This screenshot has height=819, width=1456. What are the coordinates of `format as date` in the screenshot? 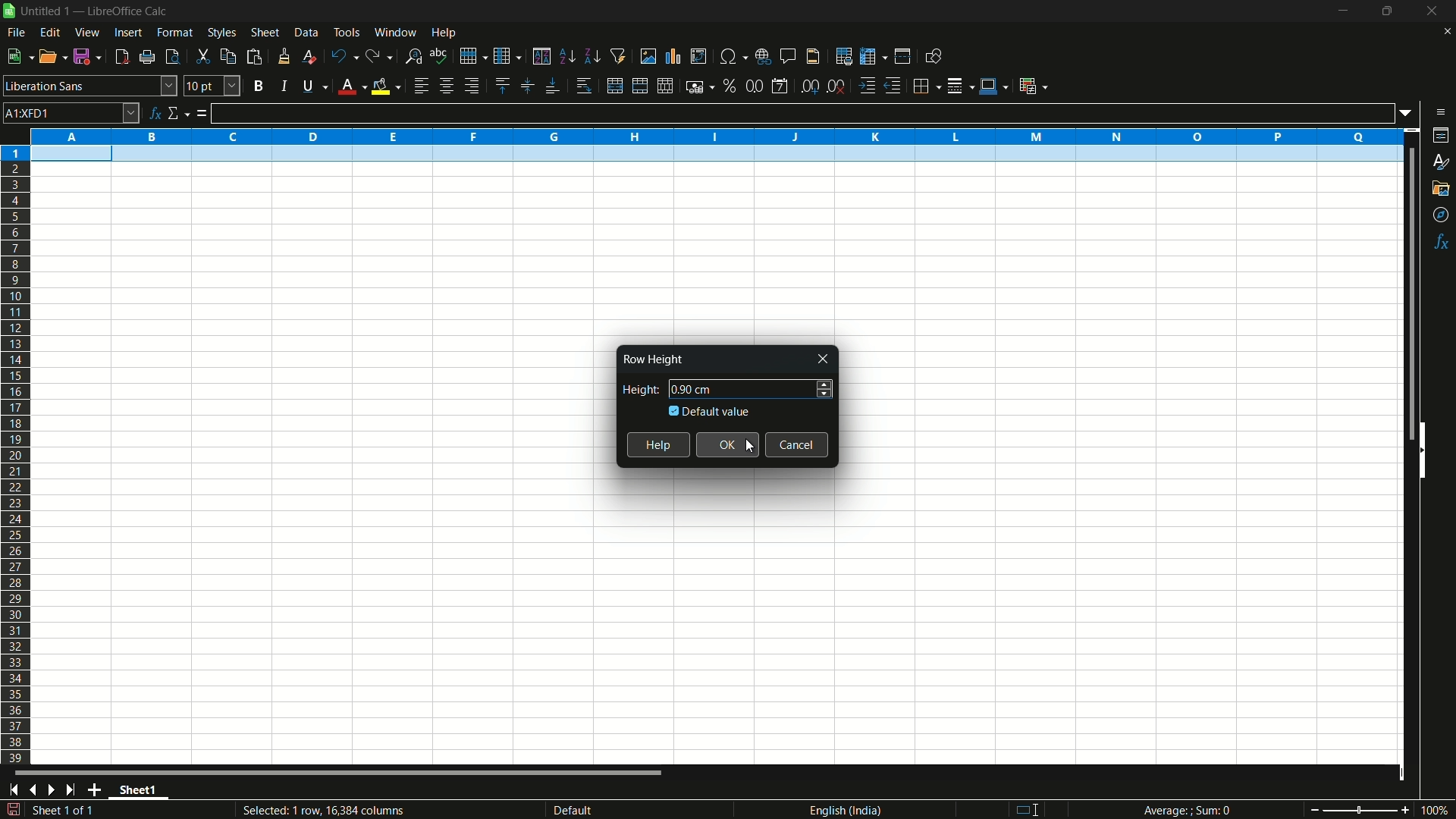 It's located at (780, 86).